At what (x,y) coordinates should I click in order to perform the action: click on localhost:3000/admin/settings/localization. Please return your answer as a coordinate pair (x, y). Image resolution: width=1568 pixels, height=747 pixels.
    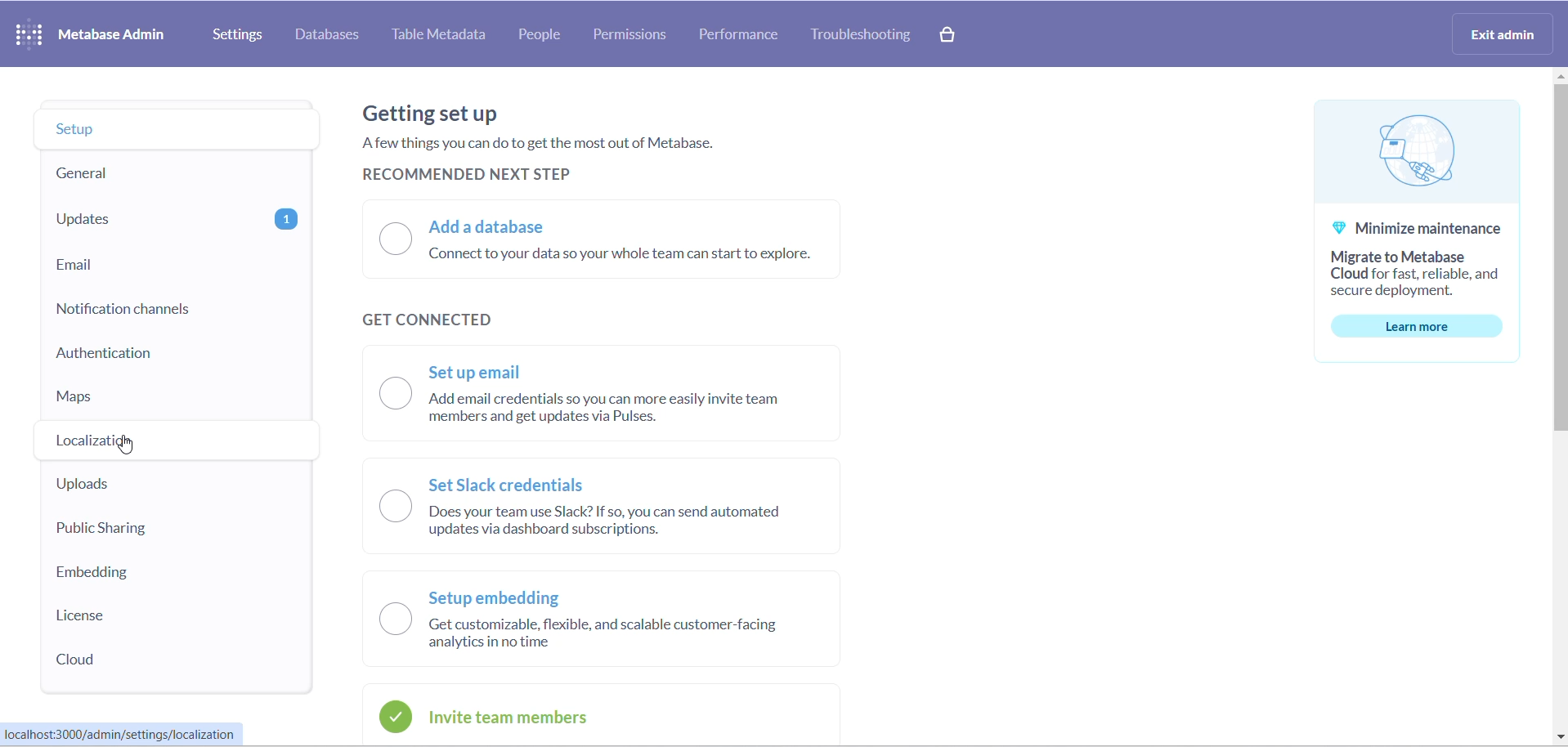
    Looking at the image, I should click on (123, 733).